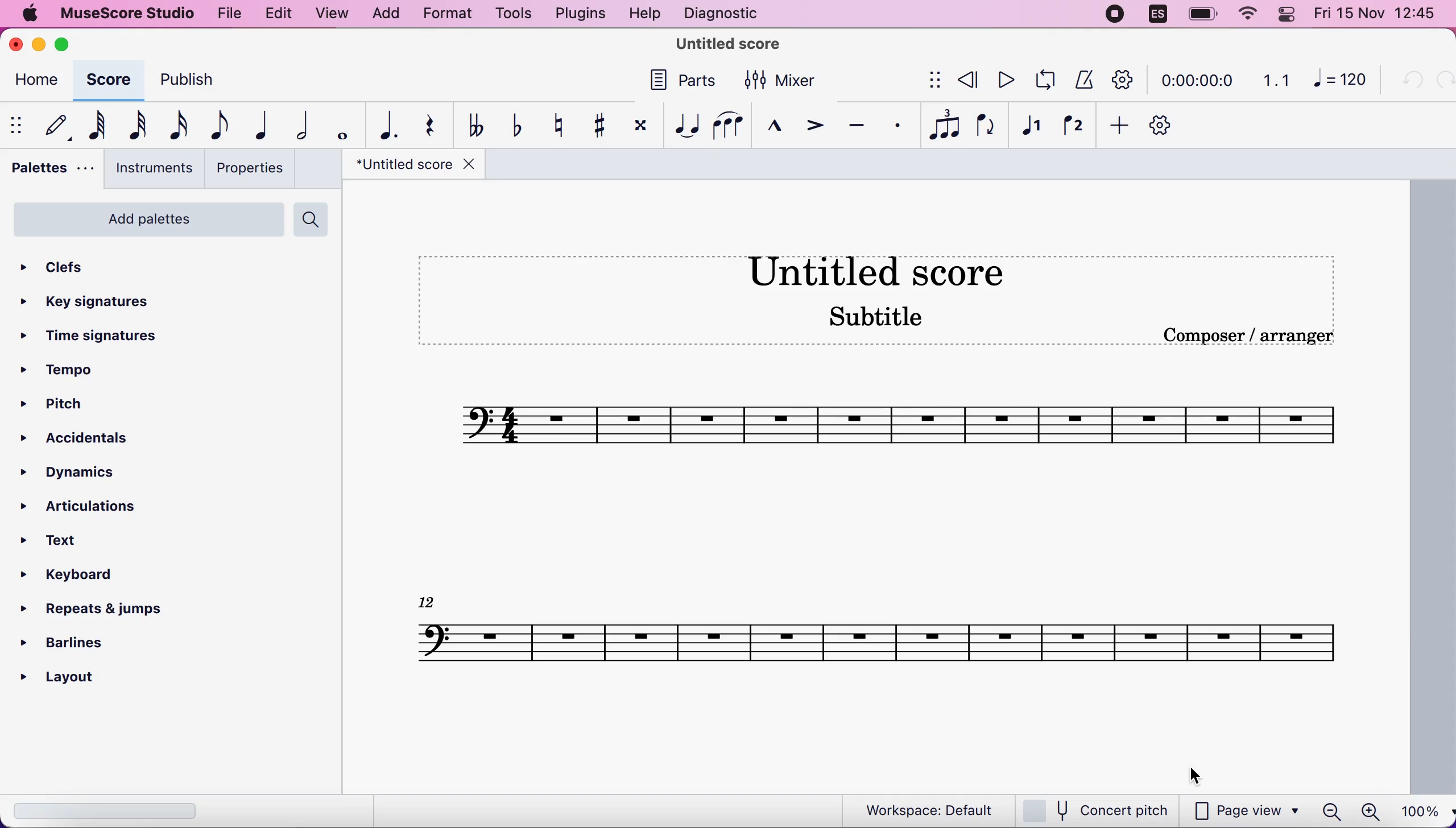 Image resolution: width=1456 pixels, height=828 pixels. I want to click on tab, so click(417, 163).